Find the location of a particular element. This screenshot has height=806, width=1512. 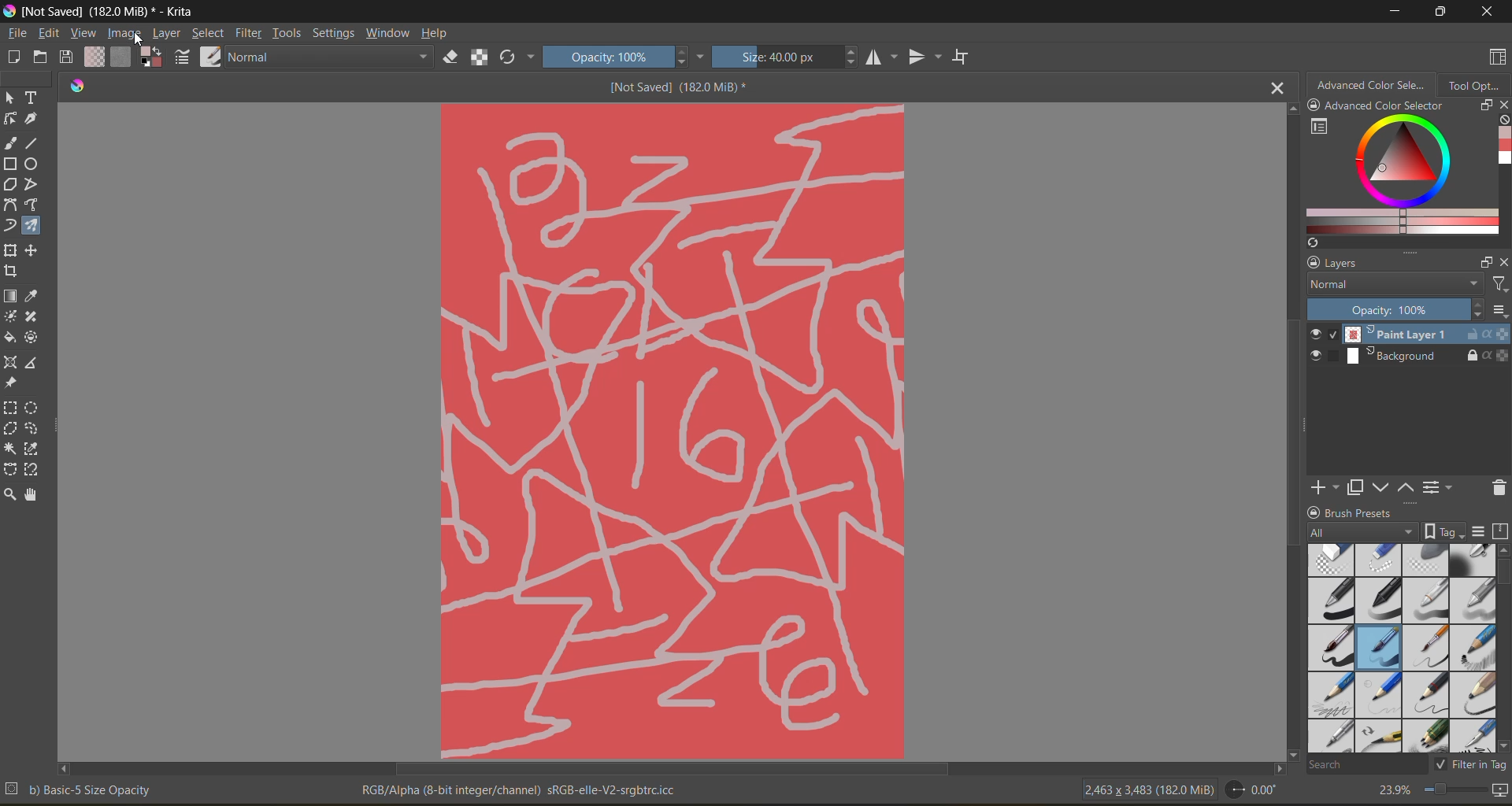

wrap around mode is located at coordinates (969, 57).